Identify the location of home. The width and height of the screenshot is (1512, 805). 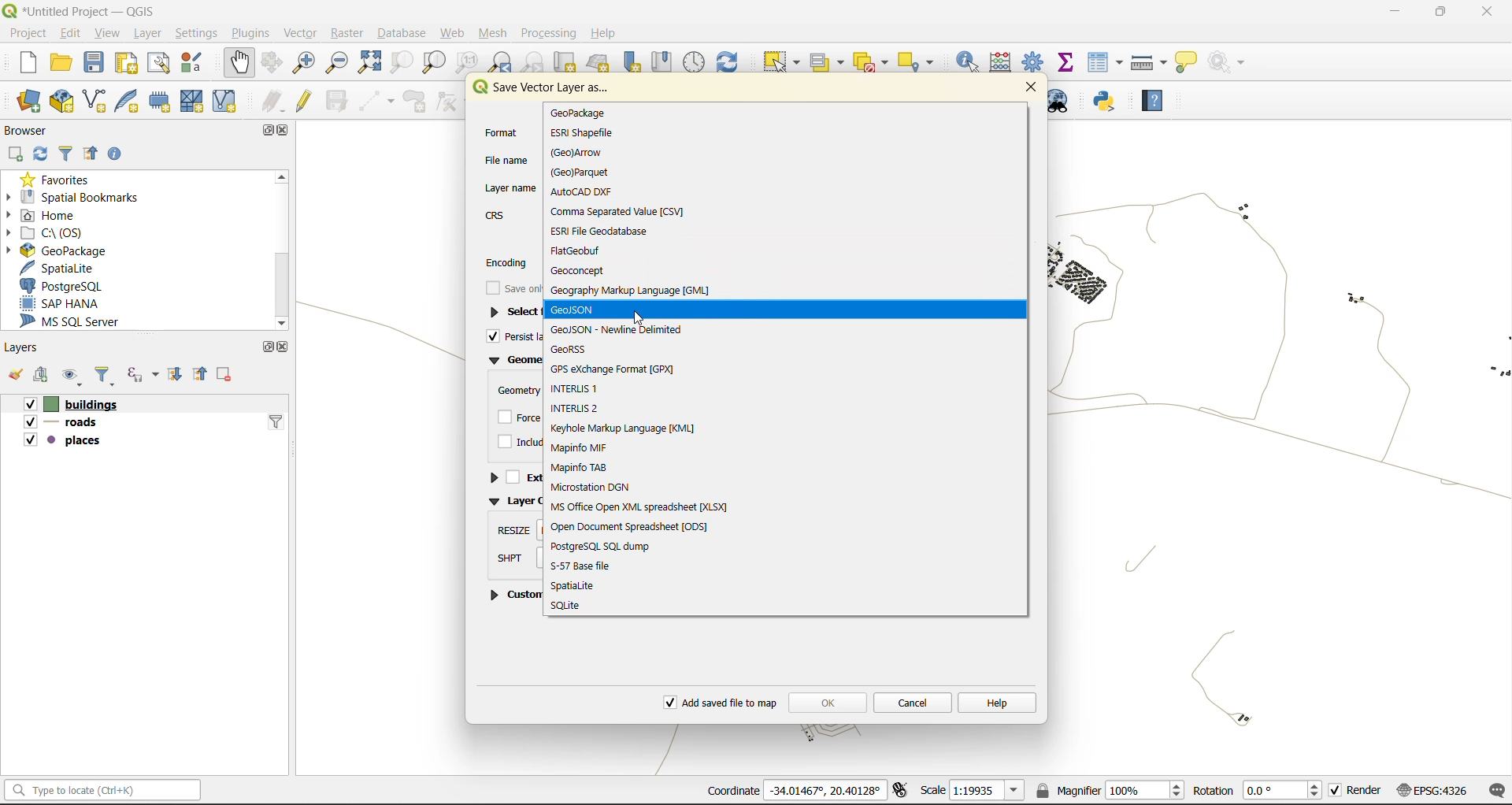
(46, 216).